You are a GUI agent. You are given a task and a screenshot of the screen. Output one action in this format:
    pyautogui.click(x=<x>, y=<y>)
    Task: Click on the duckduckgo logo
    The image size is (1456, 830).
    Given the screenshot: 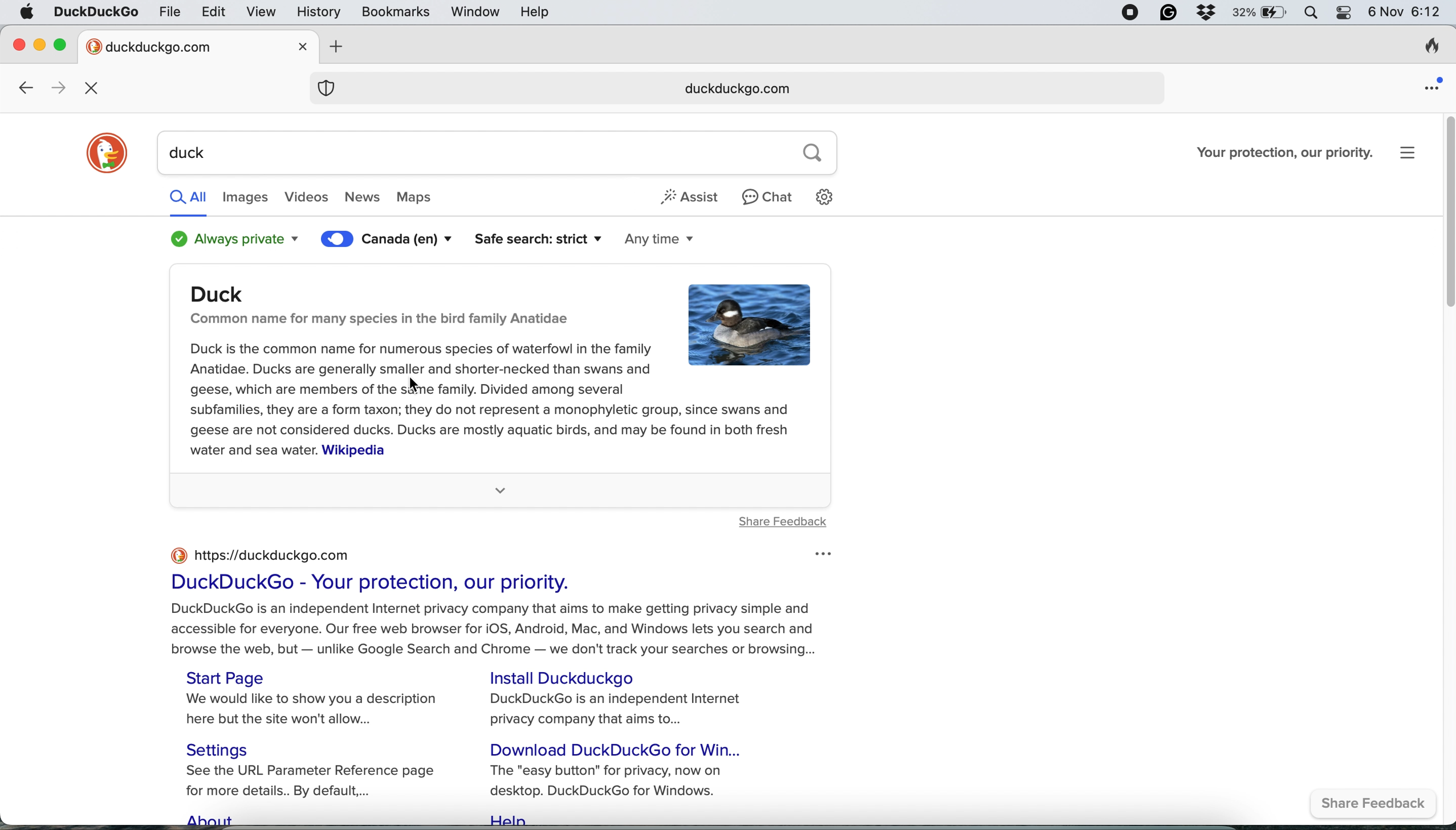 What is the action you would take?
    pyautogui.click(x=107, y=154)
    